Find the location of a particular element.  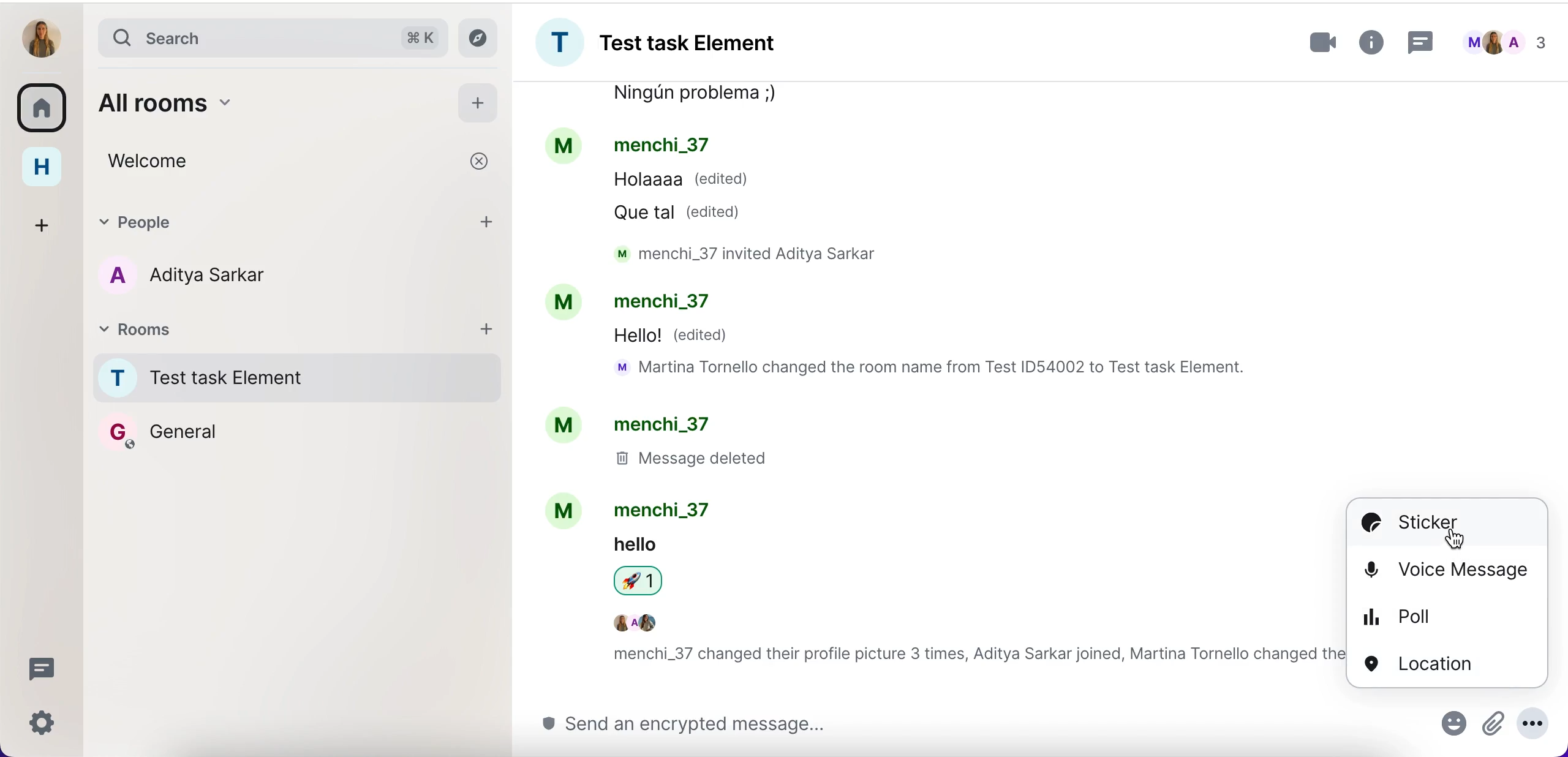

create a space is located at coordinates (42, 224).